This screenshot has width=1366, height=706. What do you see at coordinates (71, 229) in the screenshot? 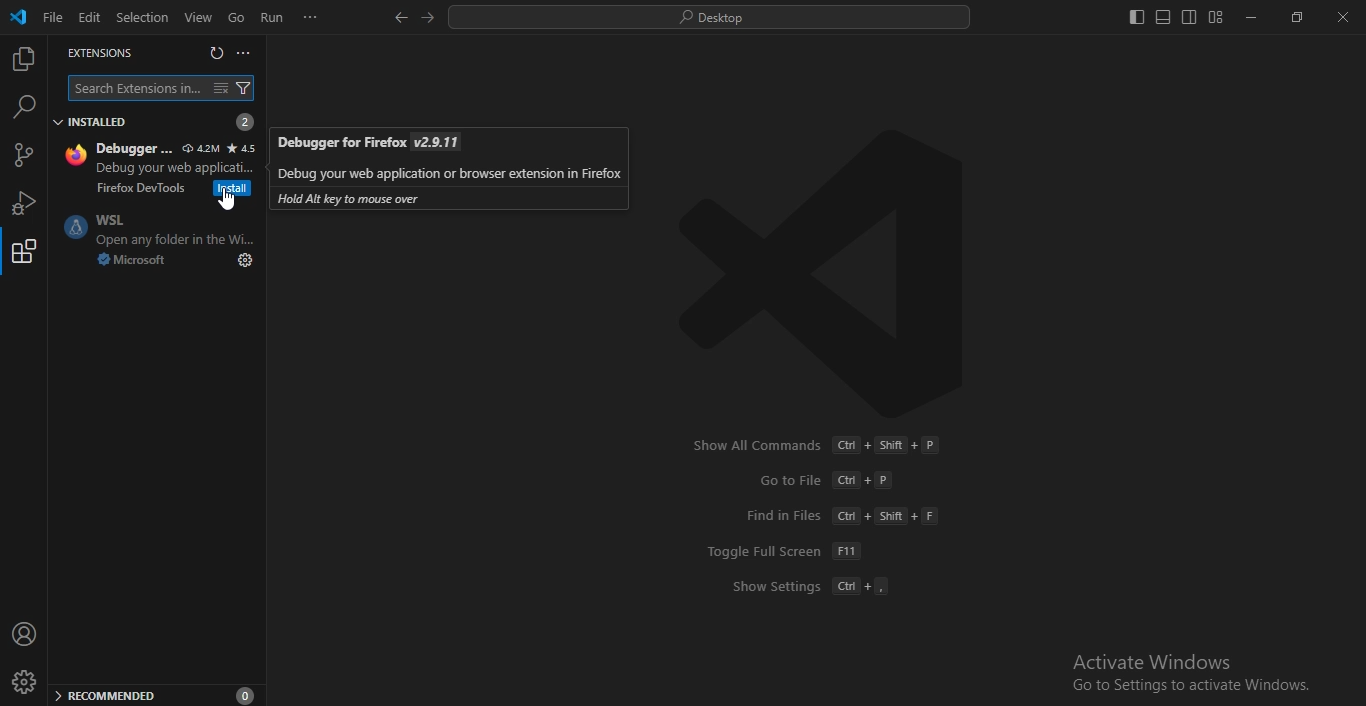
I see `wsl icon` at bounding box center [71, 229].